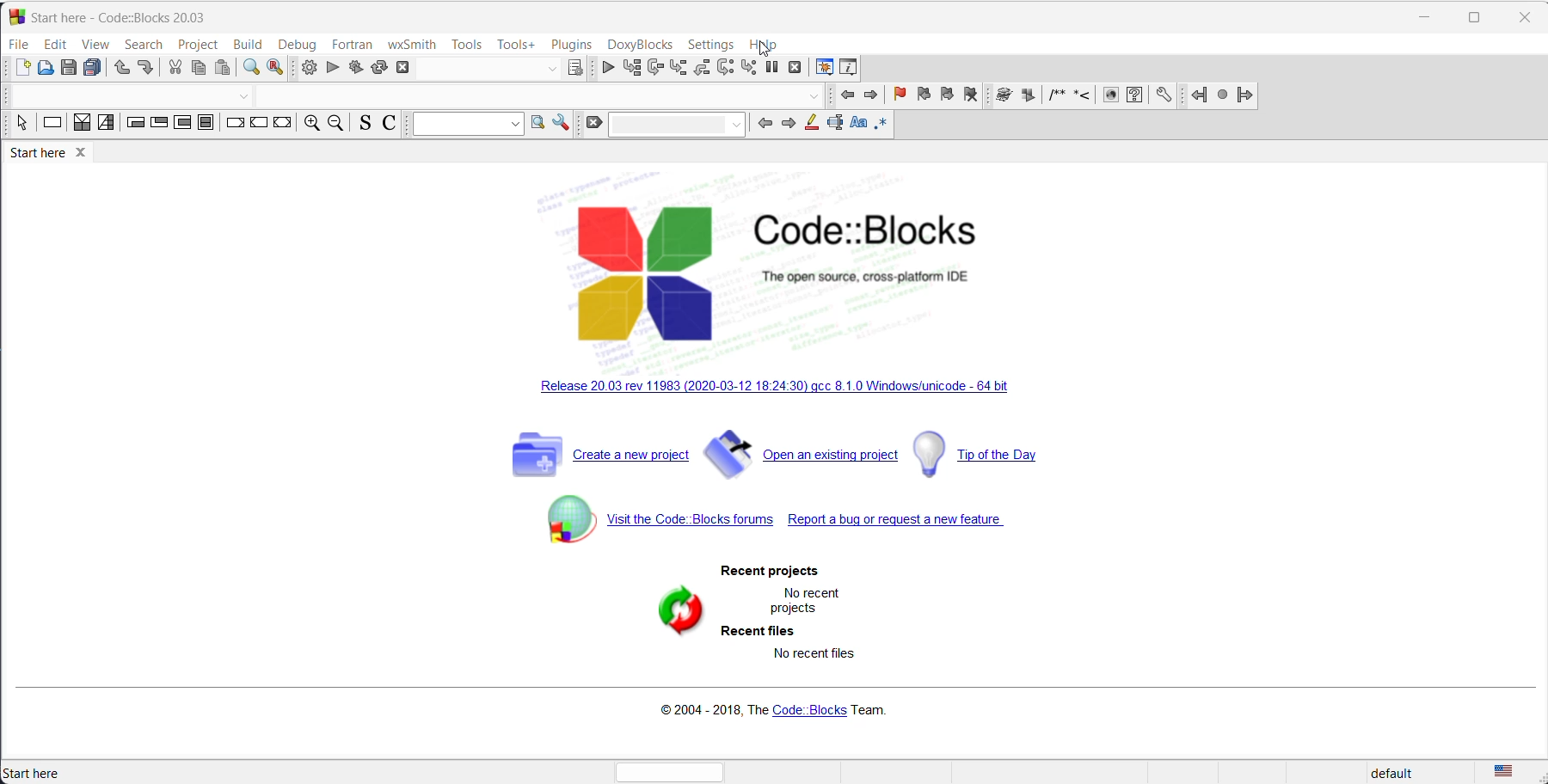  What do you see at coordinates (1027, 95) in the screenshot?
I see `pause` at bounding box center [1027, 95].